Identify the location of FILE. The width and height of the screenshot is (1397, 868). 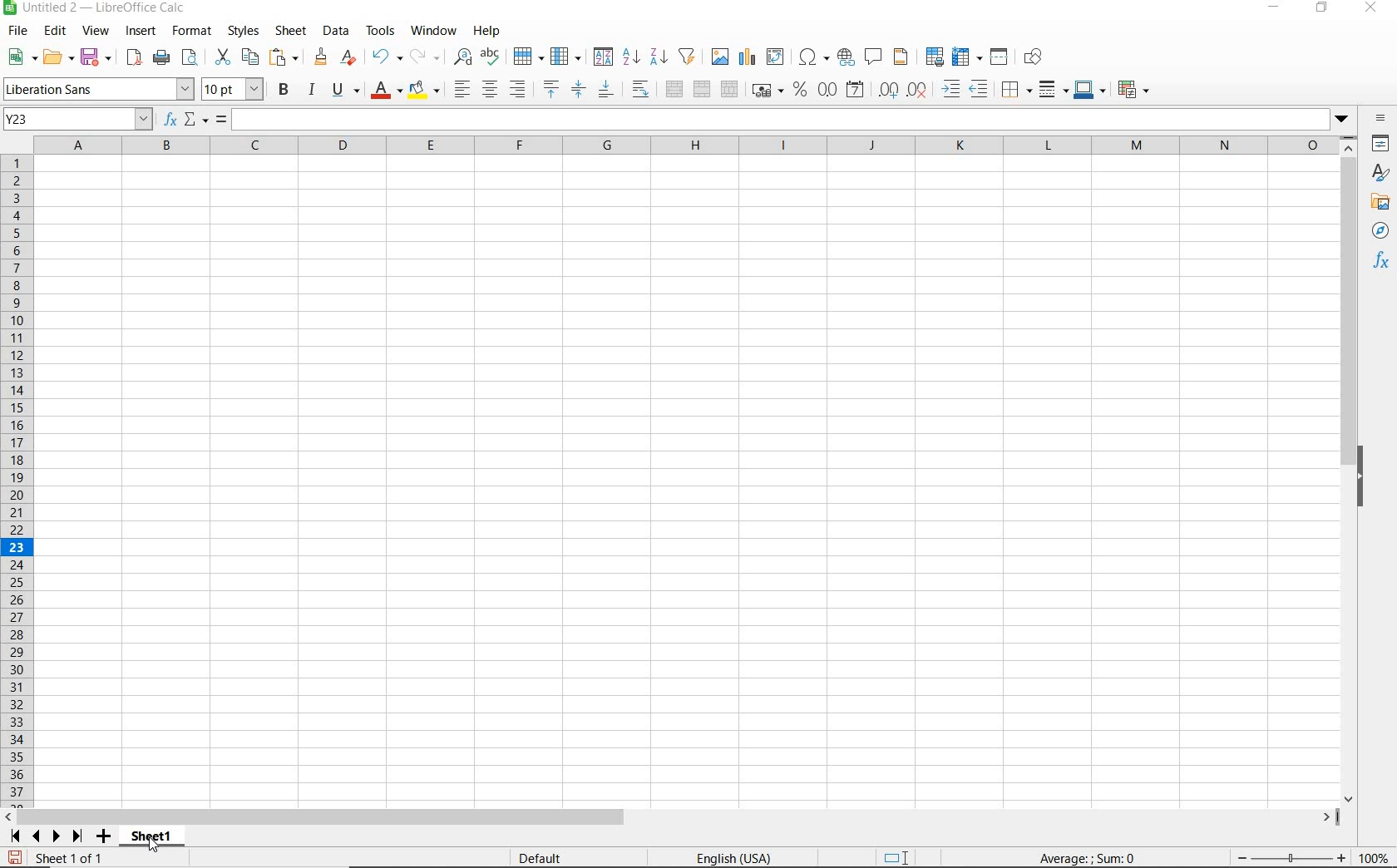
(16, 31).